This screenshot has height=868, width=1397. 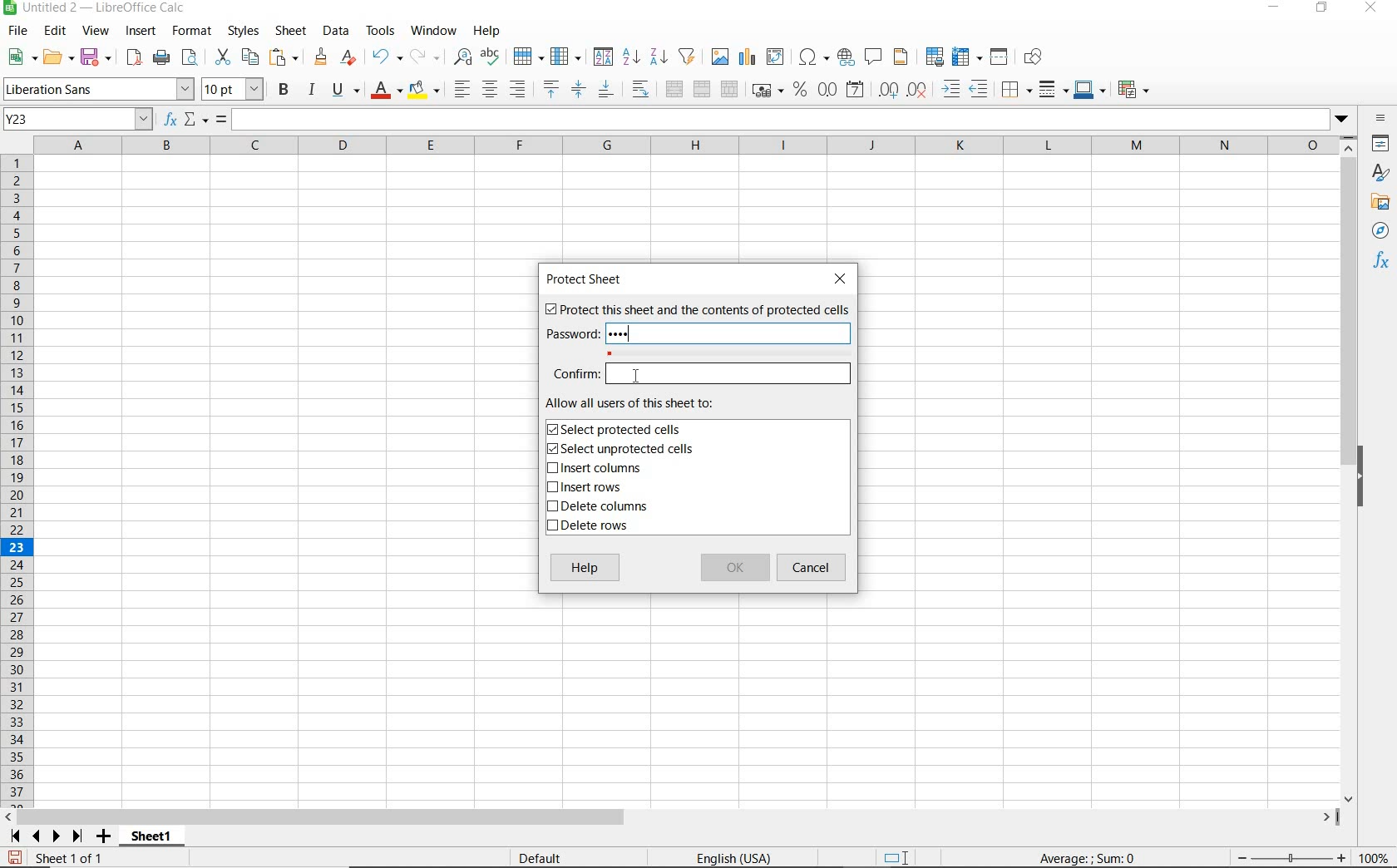 I want to click on TOGGLE PRINT PREVIEW, so click(x=192, y=57).